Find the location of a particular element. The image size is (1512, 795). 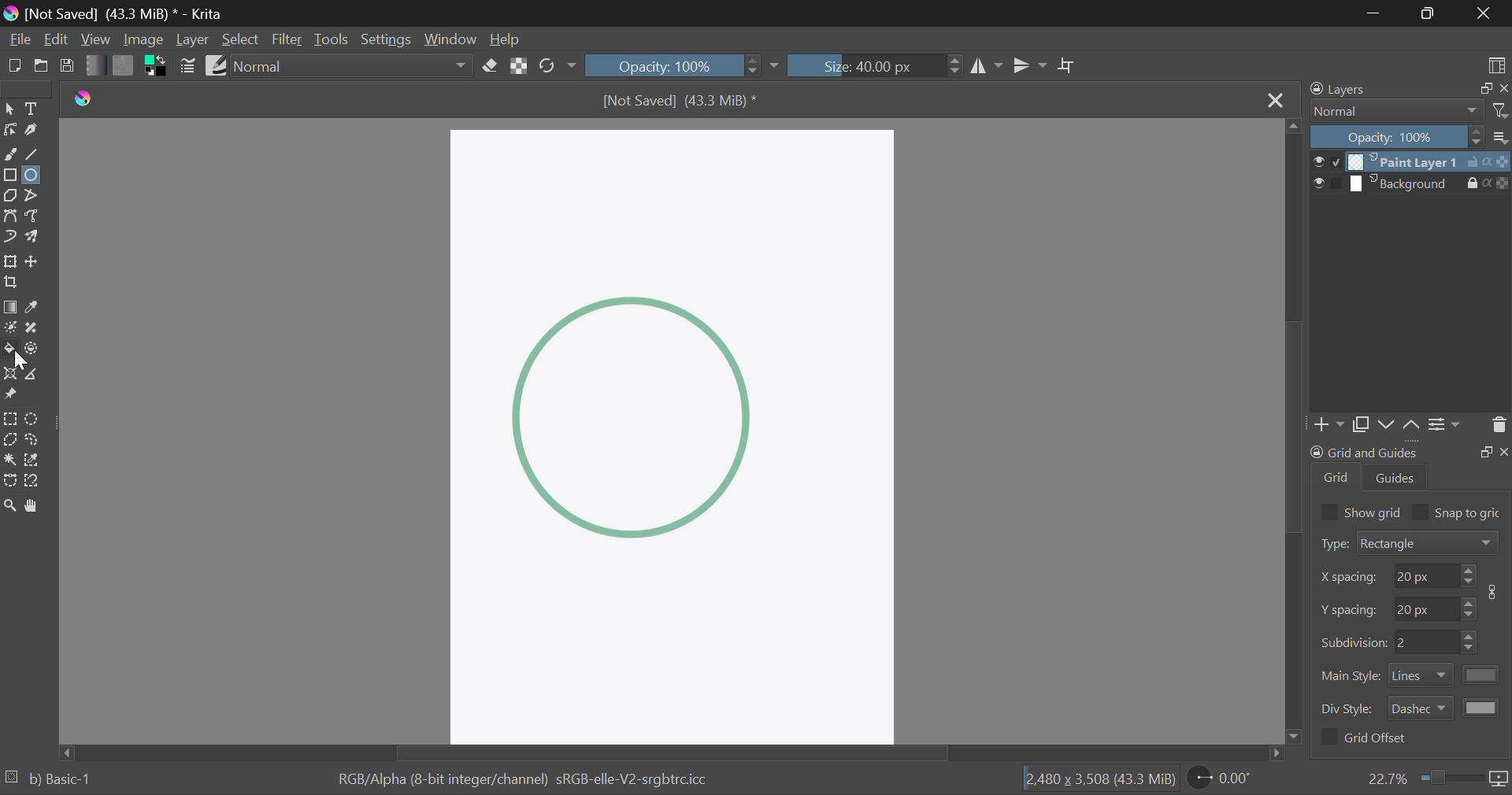

Text is located at coordinates (31, 109).